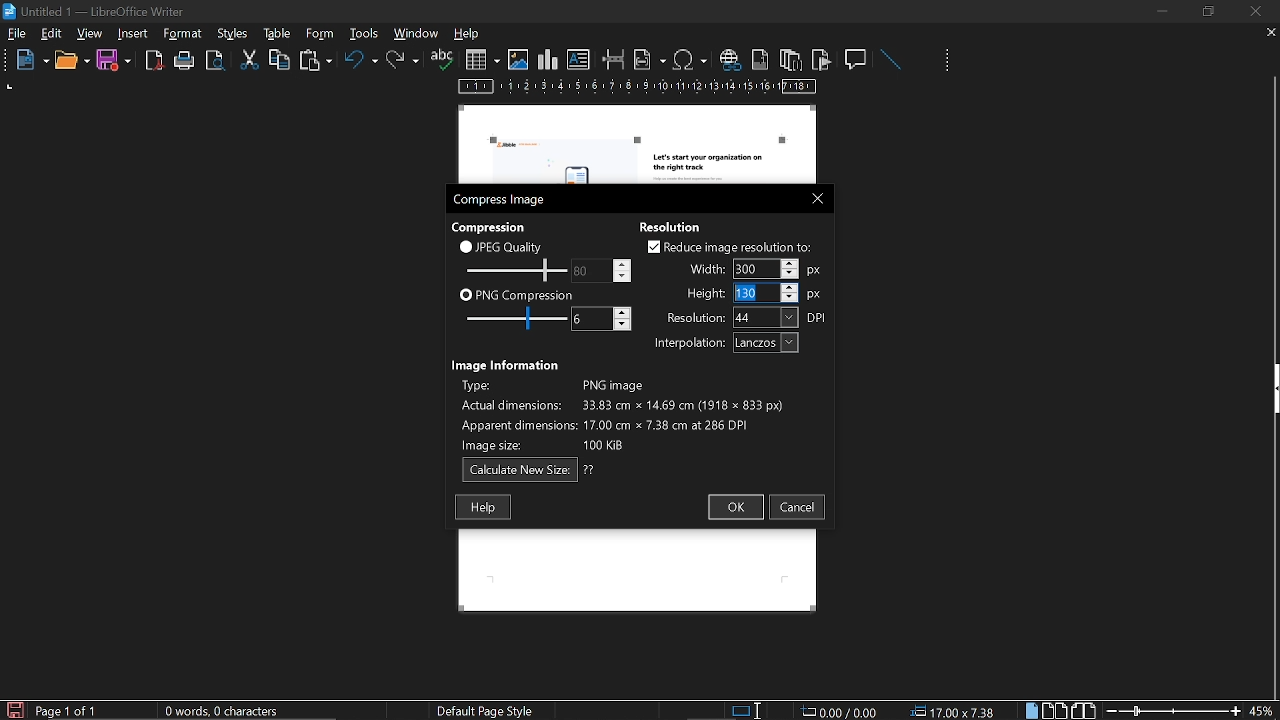  Describe the element at coordinates (483, 507) in the screenshot. I see `help` at that location.